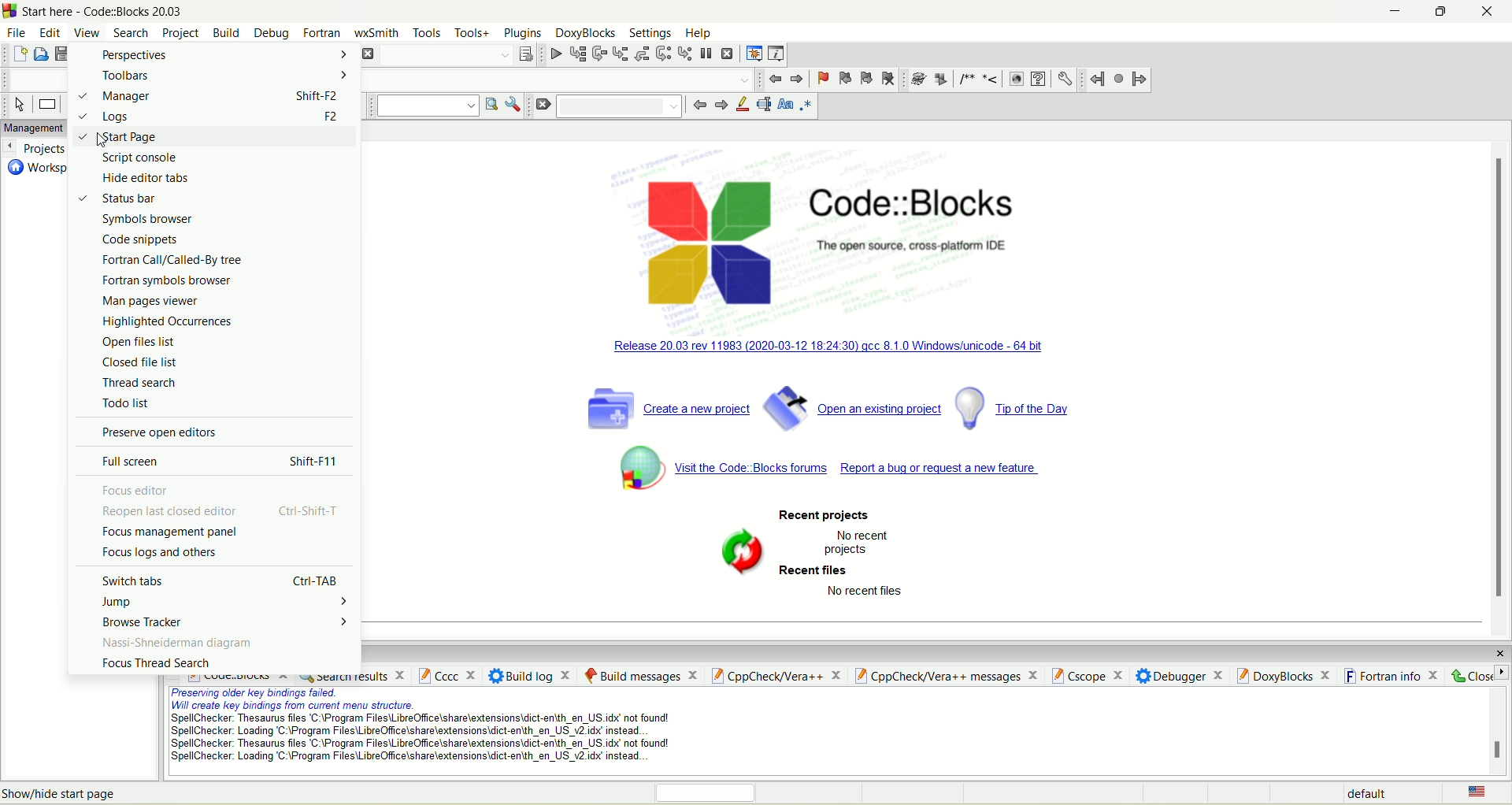 This screenshot has height=805, width=1512. Describe the element at coordinates (1477, 673) in the screenshot. I see `close` at that location.